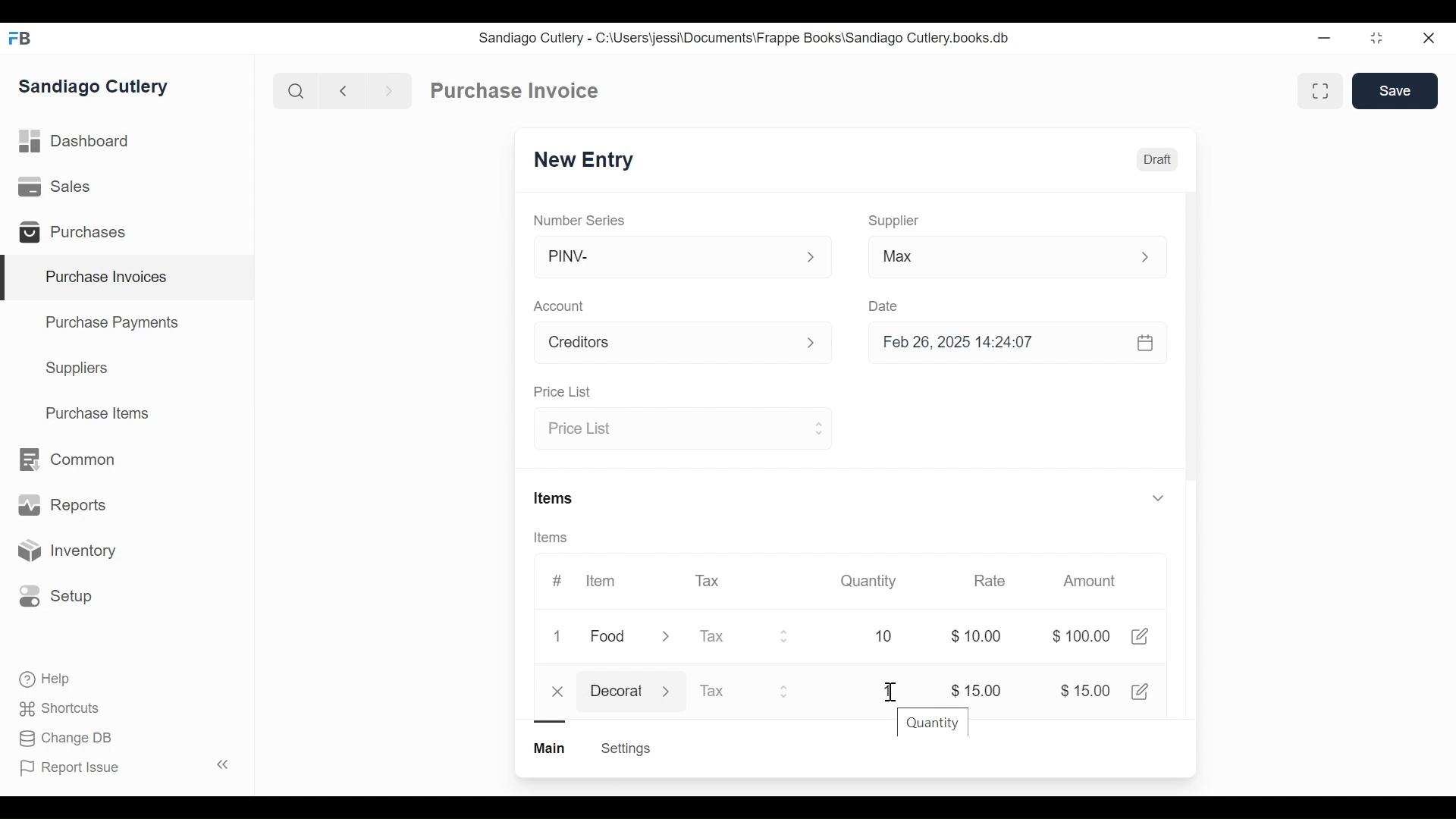  Describe the element at coordinates (79, 234) in the screenshot. I see `Purchases` at that location.